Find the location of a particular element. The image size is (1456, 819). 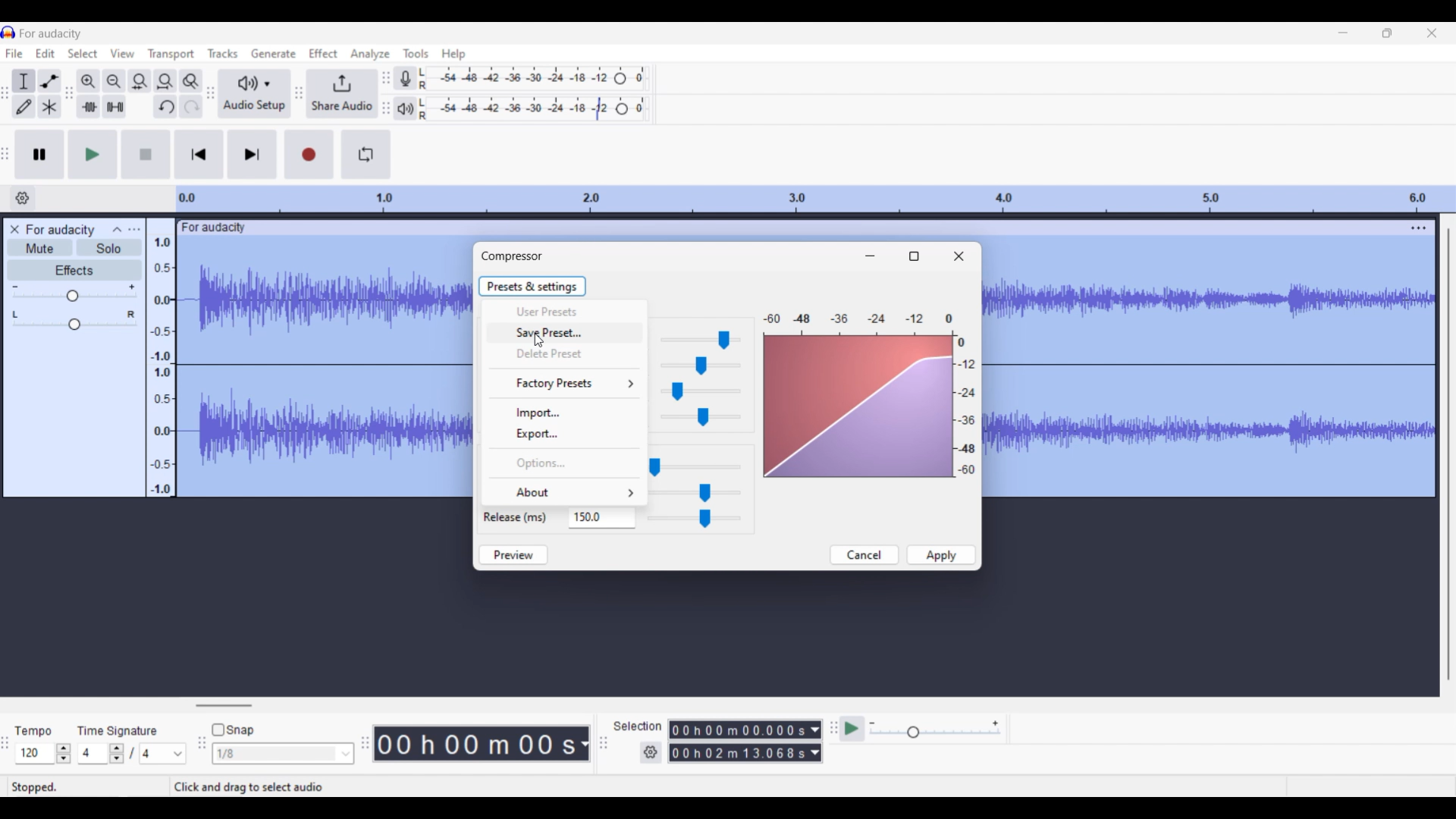

Volume slide is located at coordinates (74, 293).